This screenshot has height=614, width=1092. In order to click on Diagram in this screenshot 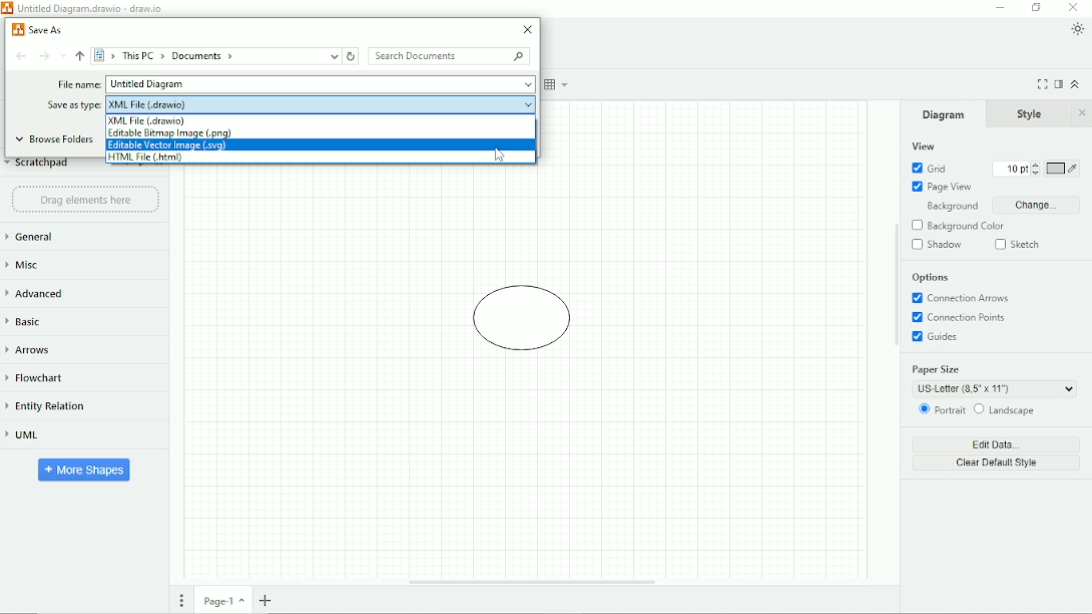, I will do `click(944, 114)`.